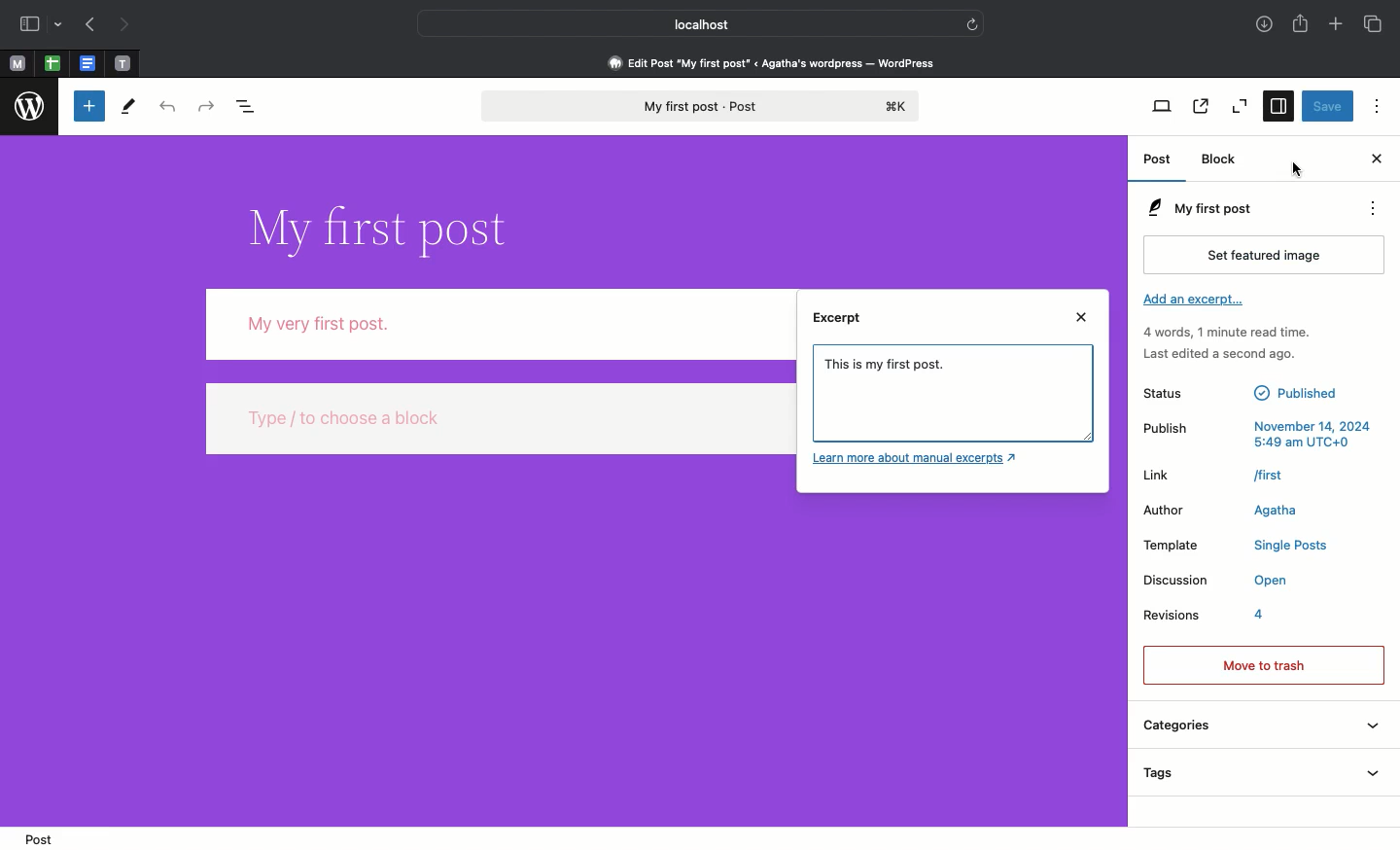 The image size is (1400, 850). What do you see at coordinates (85, 62) in the screenshot?
I see `word document tab` at bounding box center [85, 62].